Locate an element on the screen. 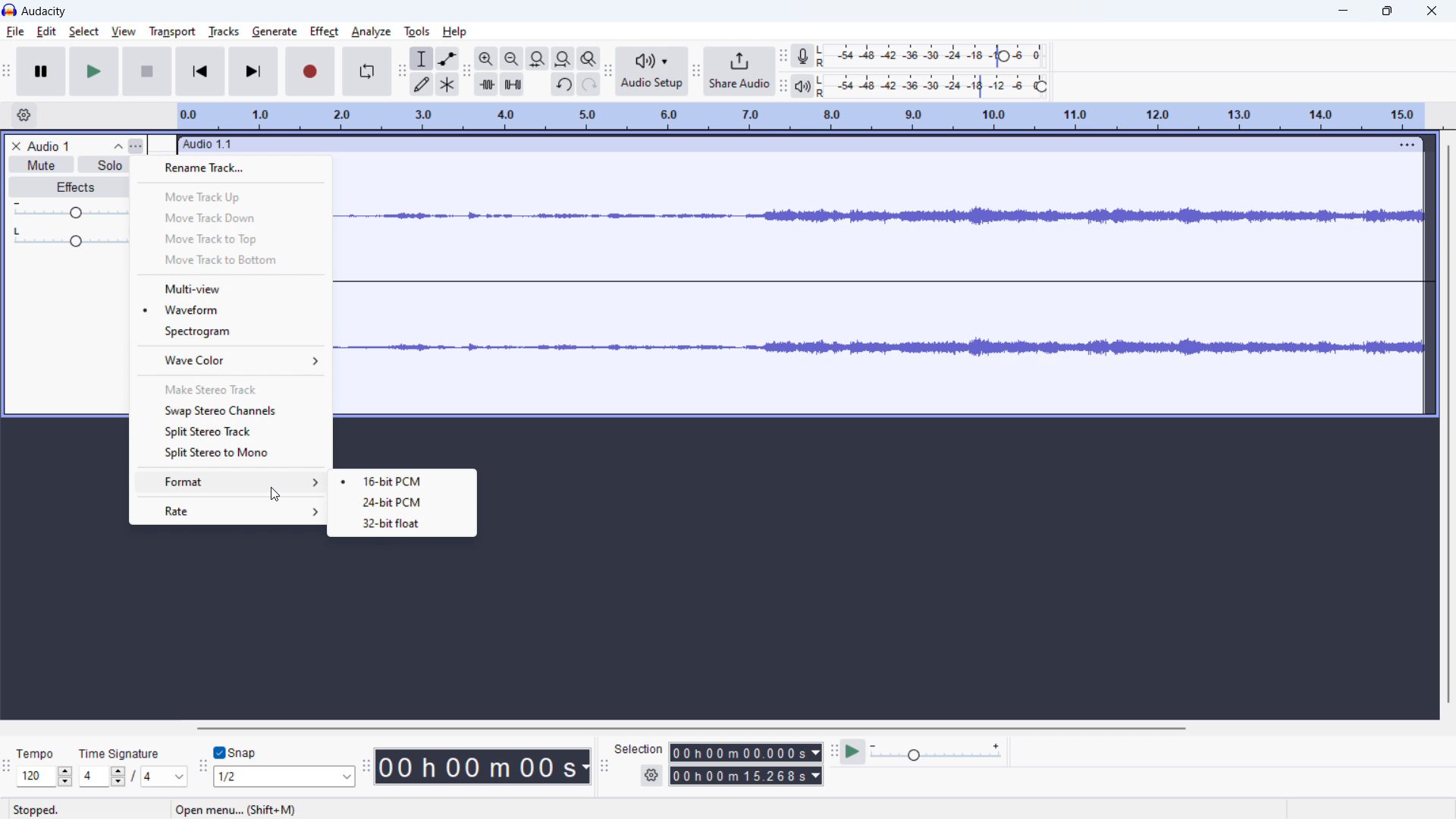 The height and width of the screenshot is (819, 1456). generate is located at coordinates (275, 32).